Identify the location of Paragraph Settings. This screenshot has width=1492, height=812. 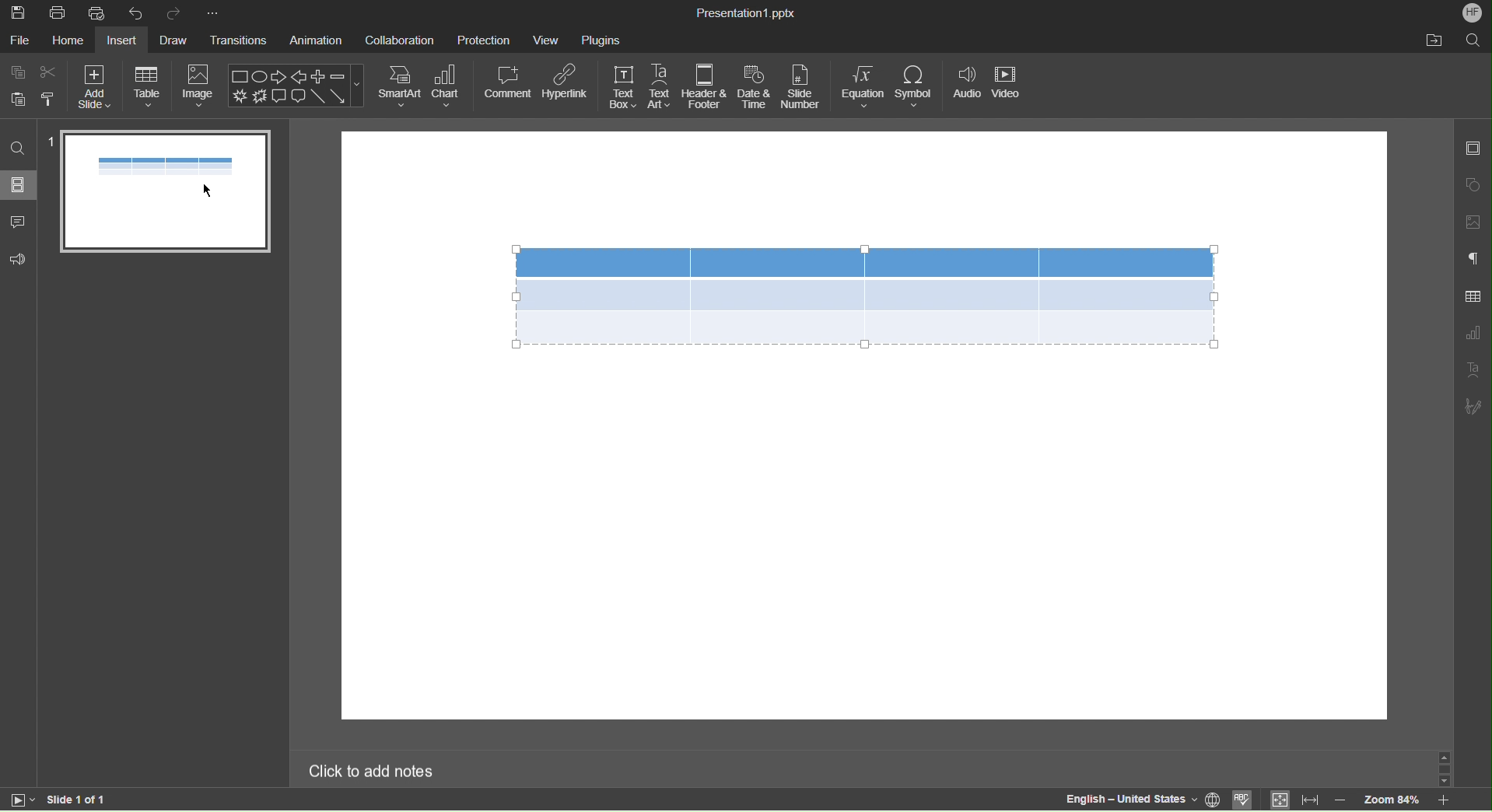
(1473, 260).